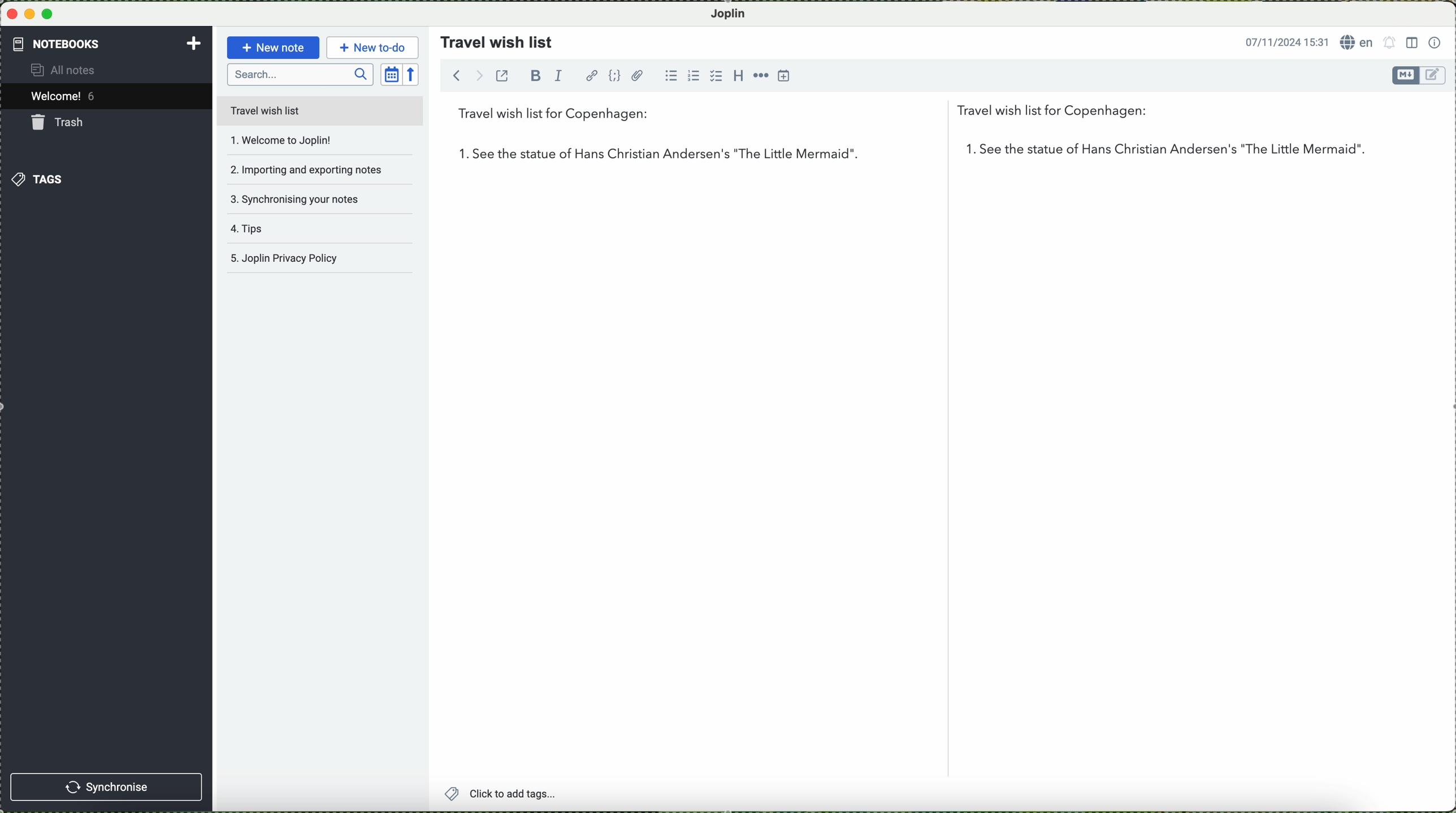 Image resolution: width=1456 pixels, height=813 pixels. What do you see at coordinates (298, 233) in the screenshot?
I see `tips` at bounding box center [298, 233].